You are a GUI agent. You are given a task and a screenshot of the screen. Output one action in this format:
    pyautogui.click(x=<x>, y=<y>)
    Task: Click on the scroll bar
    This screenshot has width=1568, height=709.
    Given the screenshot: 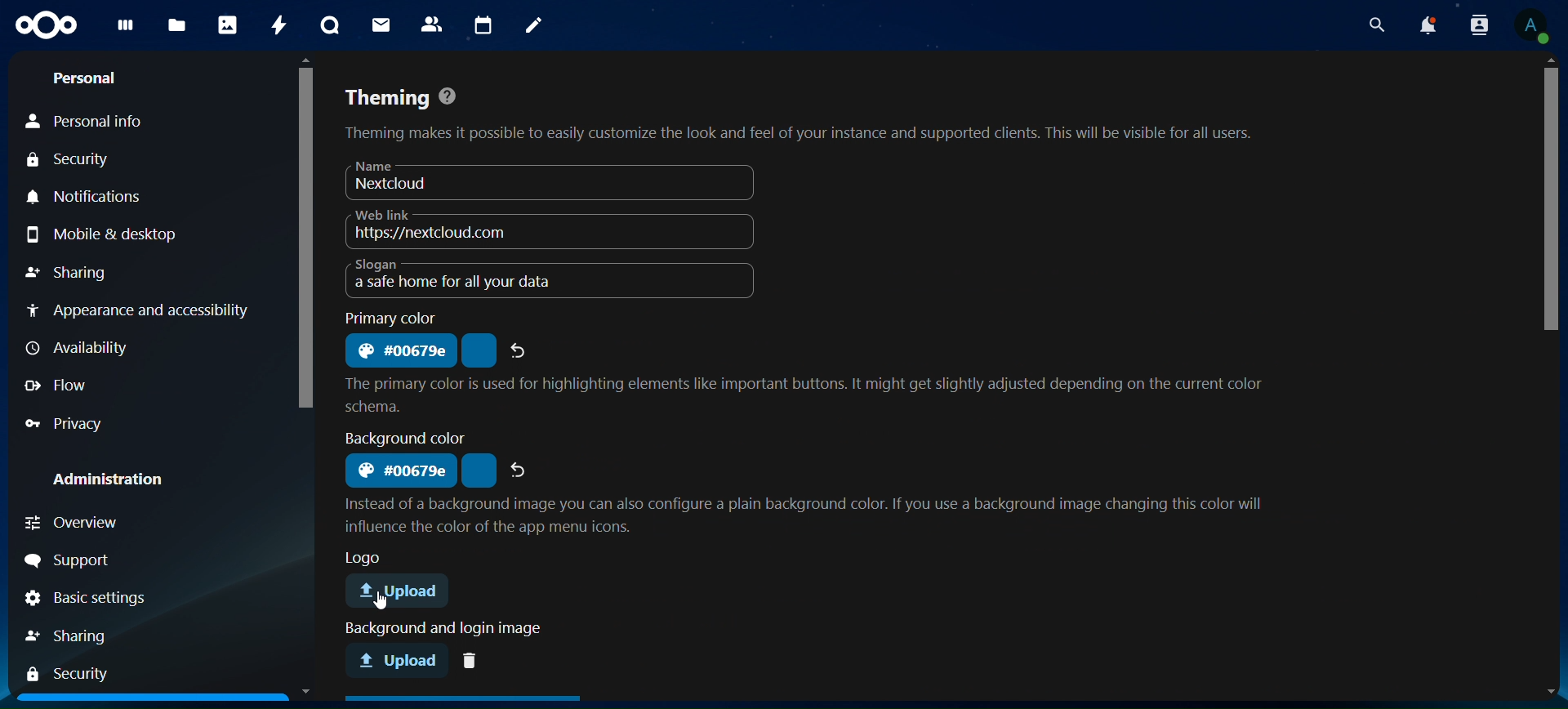 What is the action you would take?
    pyautogui.click(x=304, y=238)
    